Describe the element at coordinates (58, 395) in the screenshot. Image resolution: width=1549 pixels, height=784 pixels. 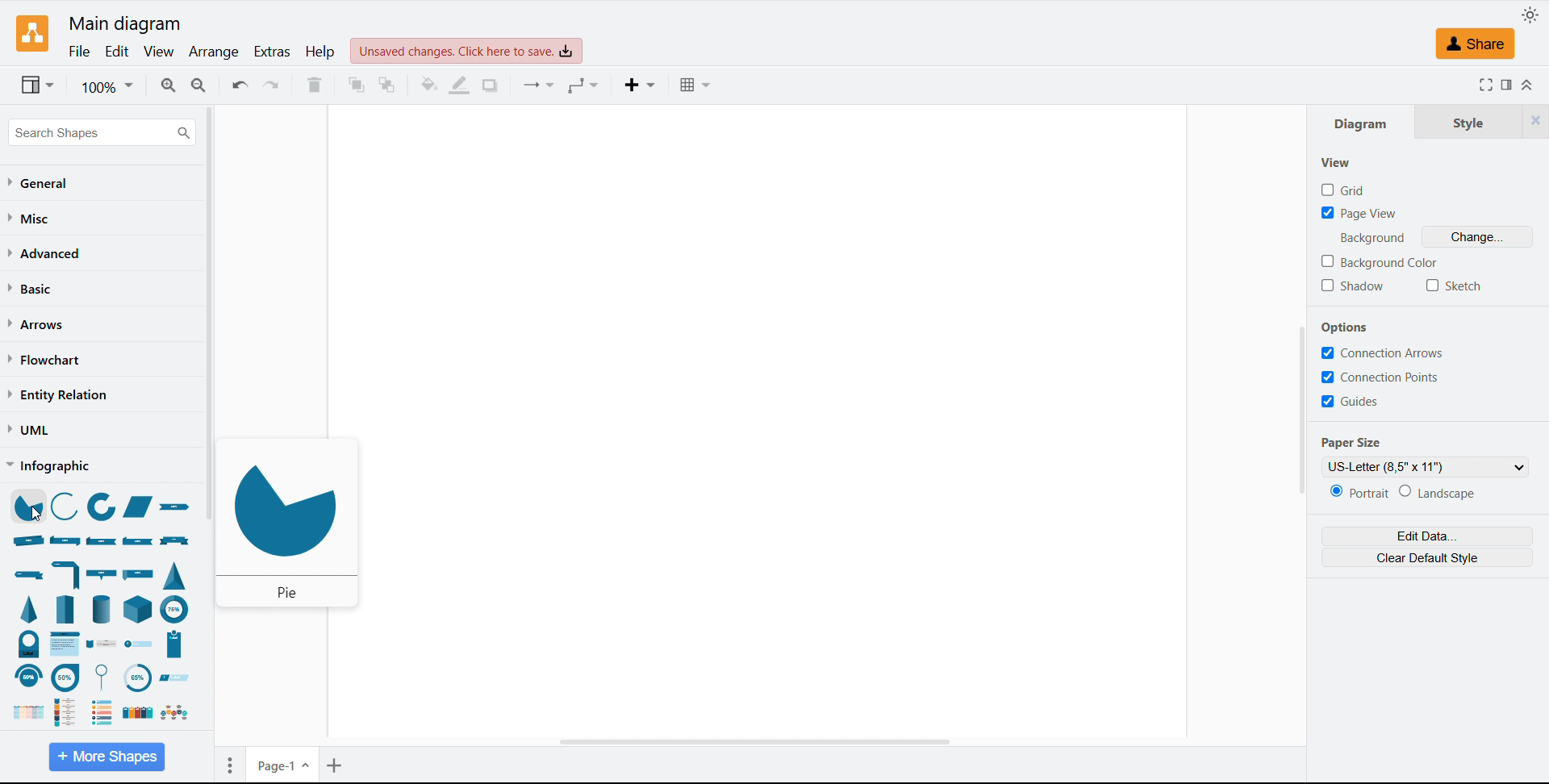
I see `entity relation` at that location.